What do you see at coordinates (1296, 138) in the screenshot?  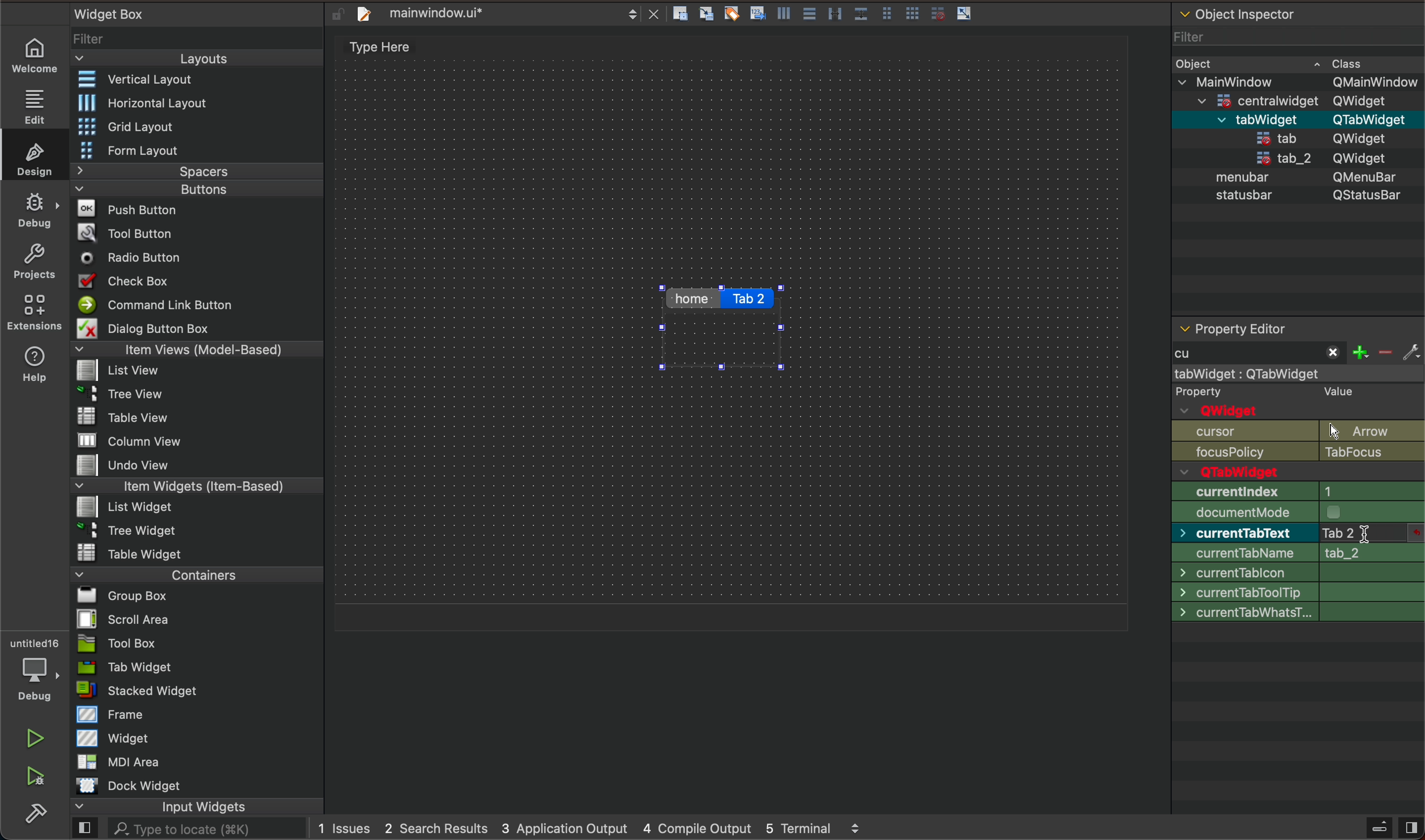 I see `statusbar QStatusBar` at bounding box center [1296, 138].